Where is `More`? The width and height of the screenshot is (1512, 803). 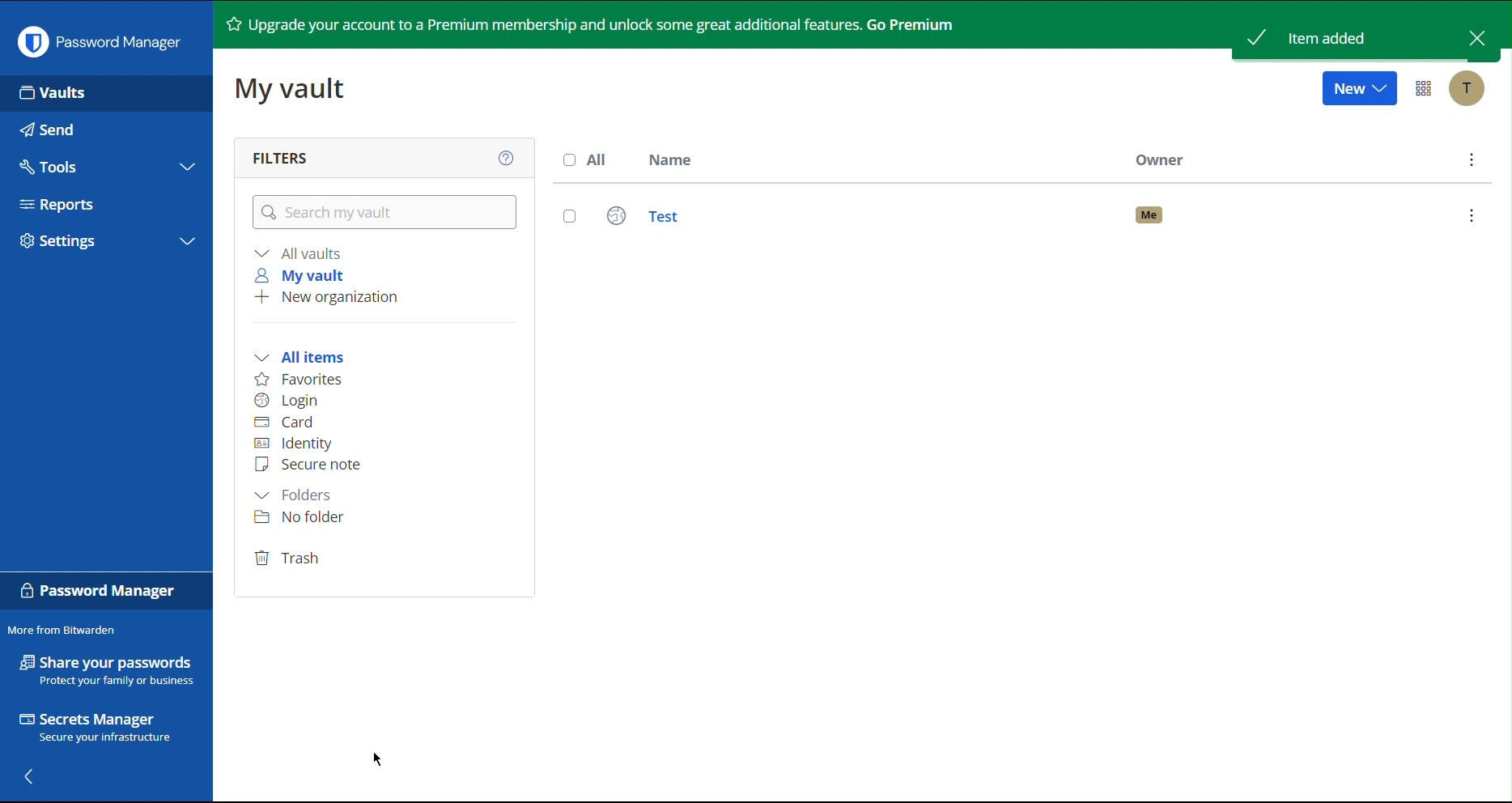
More is located at coordinates (1469, 162).